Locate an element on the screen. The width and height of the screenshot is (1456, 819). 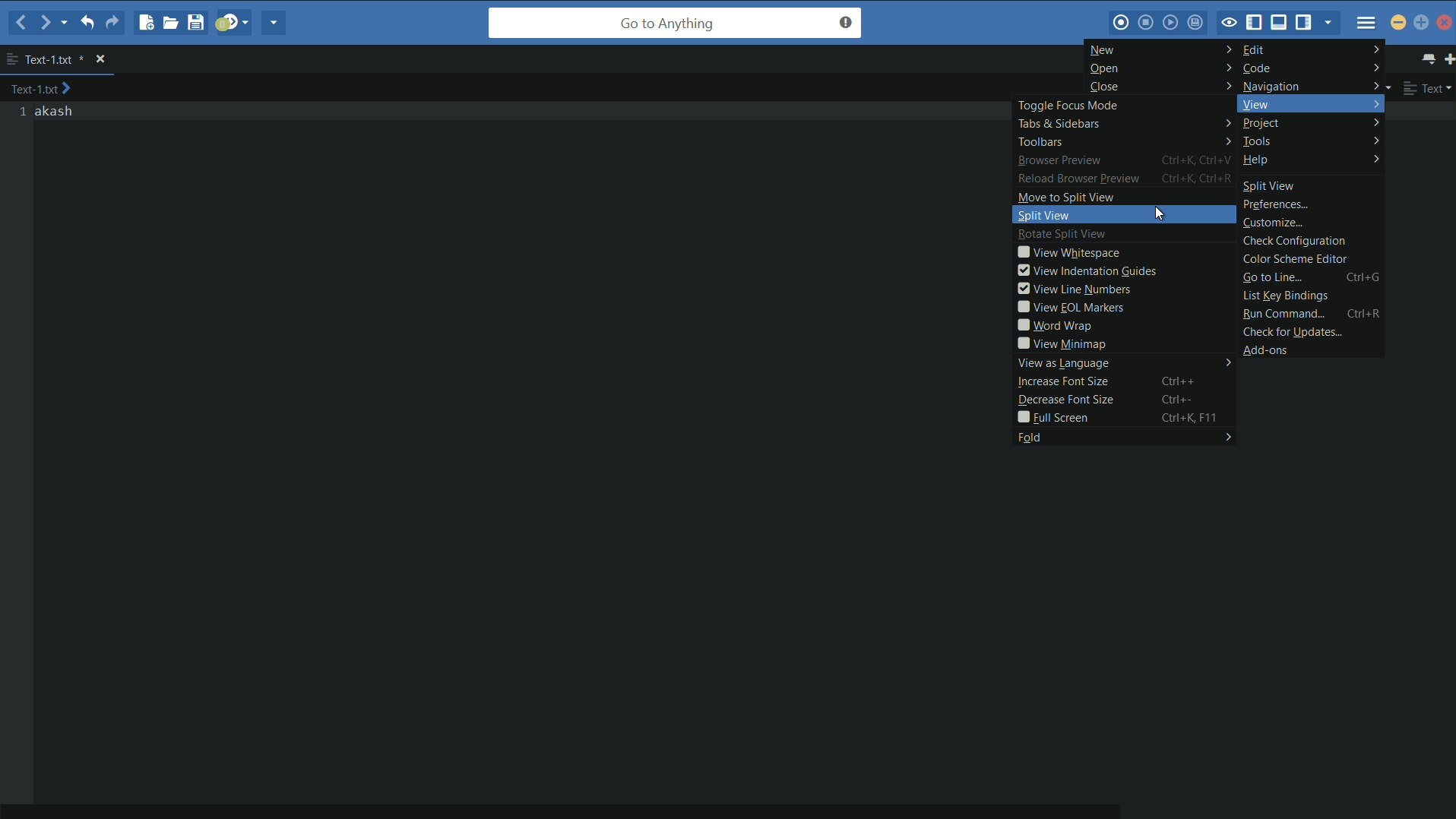
help is located at coordinates (1312, 161).